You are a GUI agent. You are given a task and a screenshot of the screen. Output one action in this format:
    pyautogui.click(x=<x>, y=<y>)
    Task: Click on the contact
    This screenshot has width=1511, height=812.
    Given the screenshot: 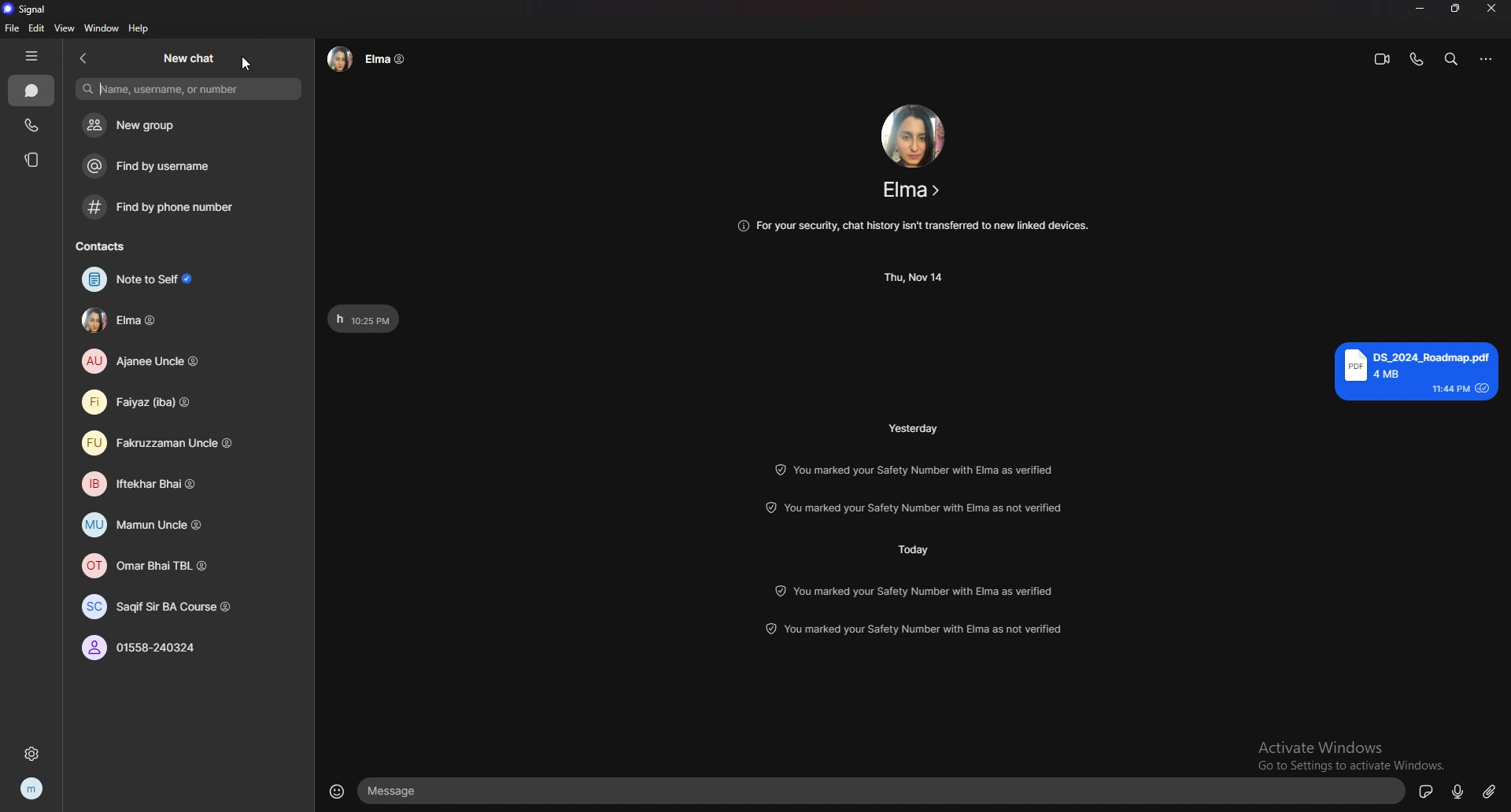 What is the action you would take?
    pyautogui.click(x=153, y=482)
    